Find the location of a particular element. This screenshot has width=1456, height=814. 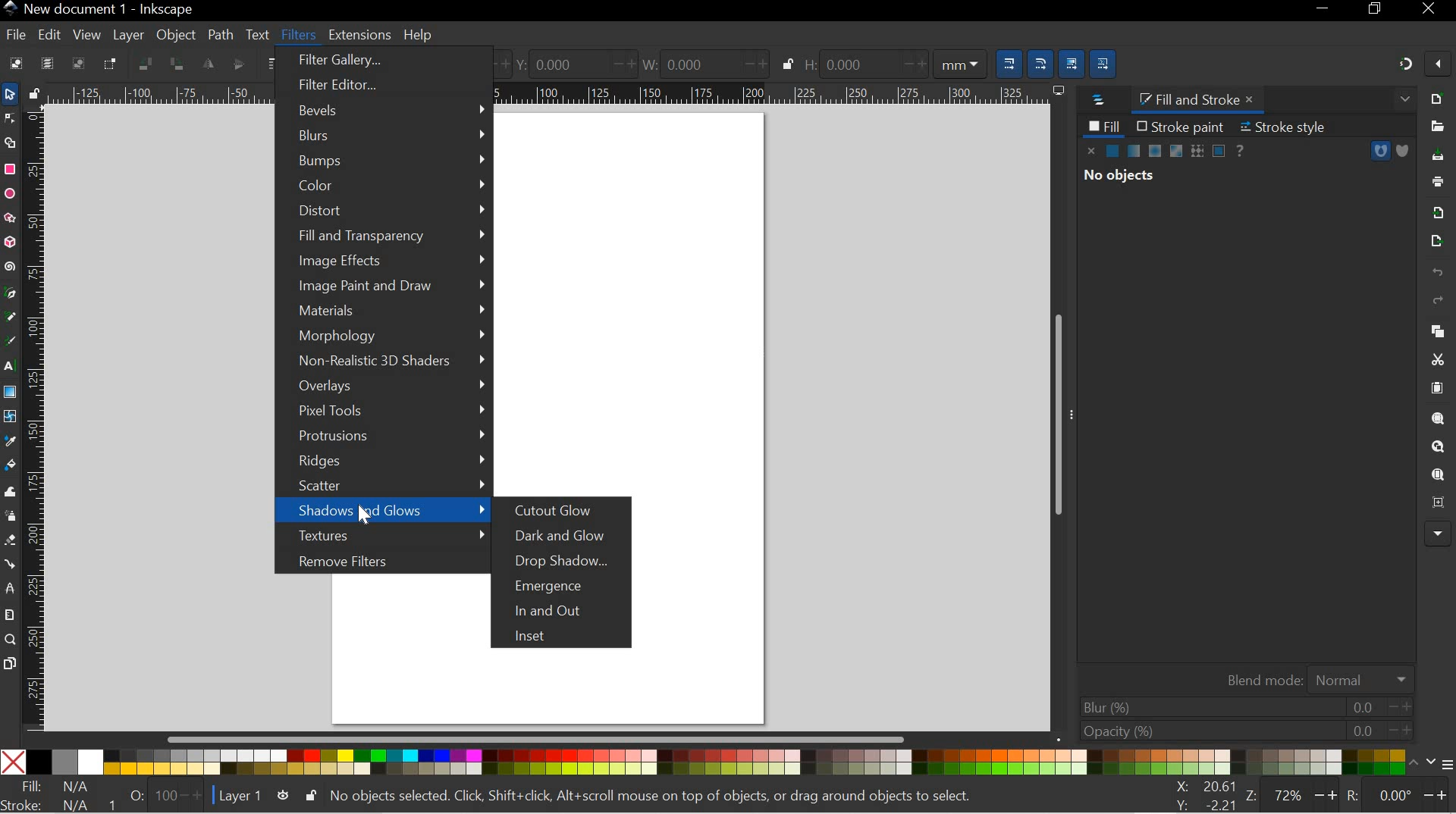

SELECT ALL IN ALL LAYERS is located at coordinates (47, 63).